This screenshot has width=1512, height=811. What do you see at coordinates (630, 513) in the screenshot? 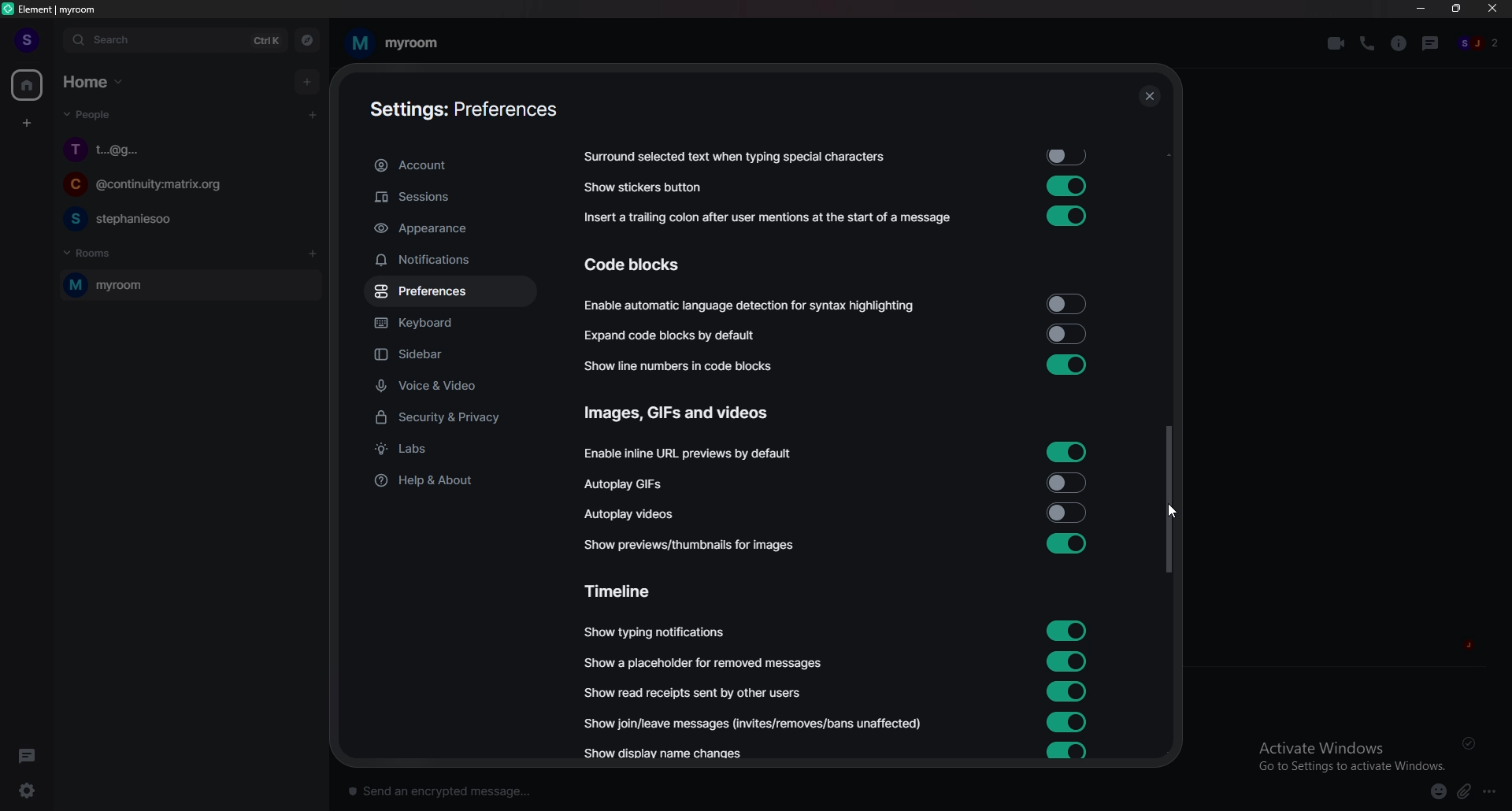
I see `autoplay videos` at bounding box center [630, 513].